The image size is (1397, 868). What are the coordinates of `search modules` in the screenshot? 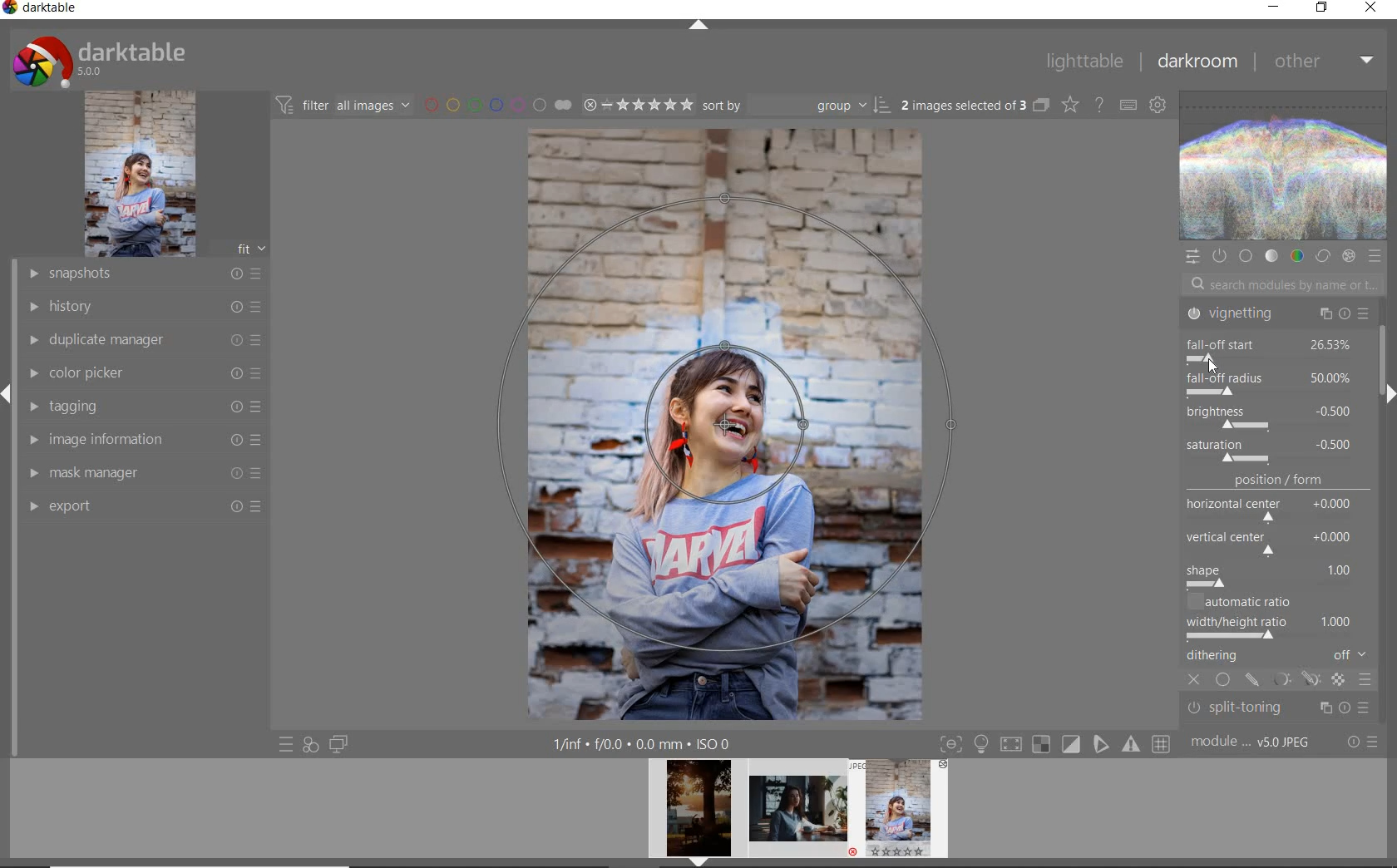 It's located at (1279, 287).